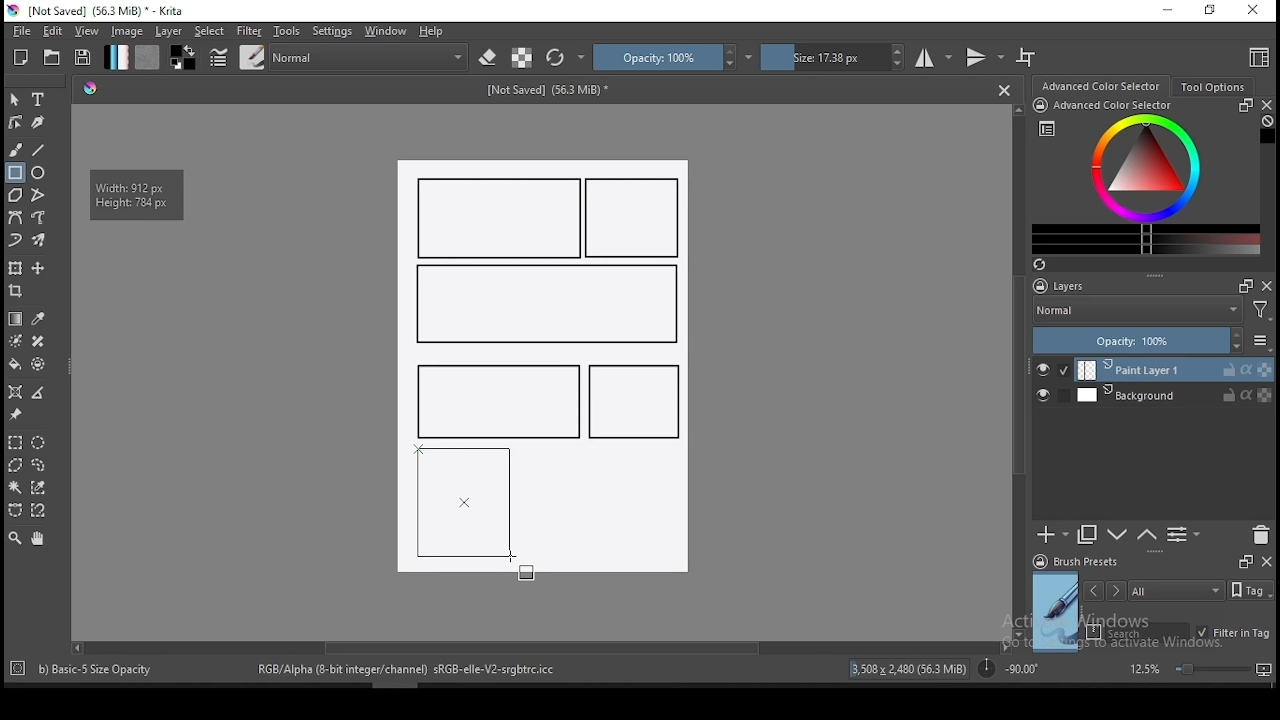 This screenshot has height=720, width=1280. Describe the element at coordinates (83, 58) in the screenshot. I see `save` at that location.